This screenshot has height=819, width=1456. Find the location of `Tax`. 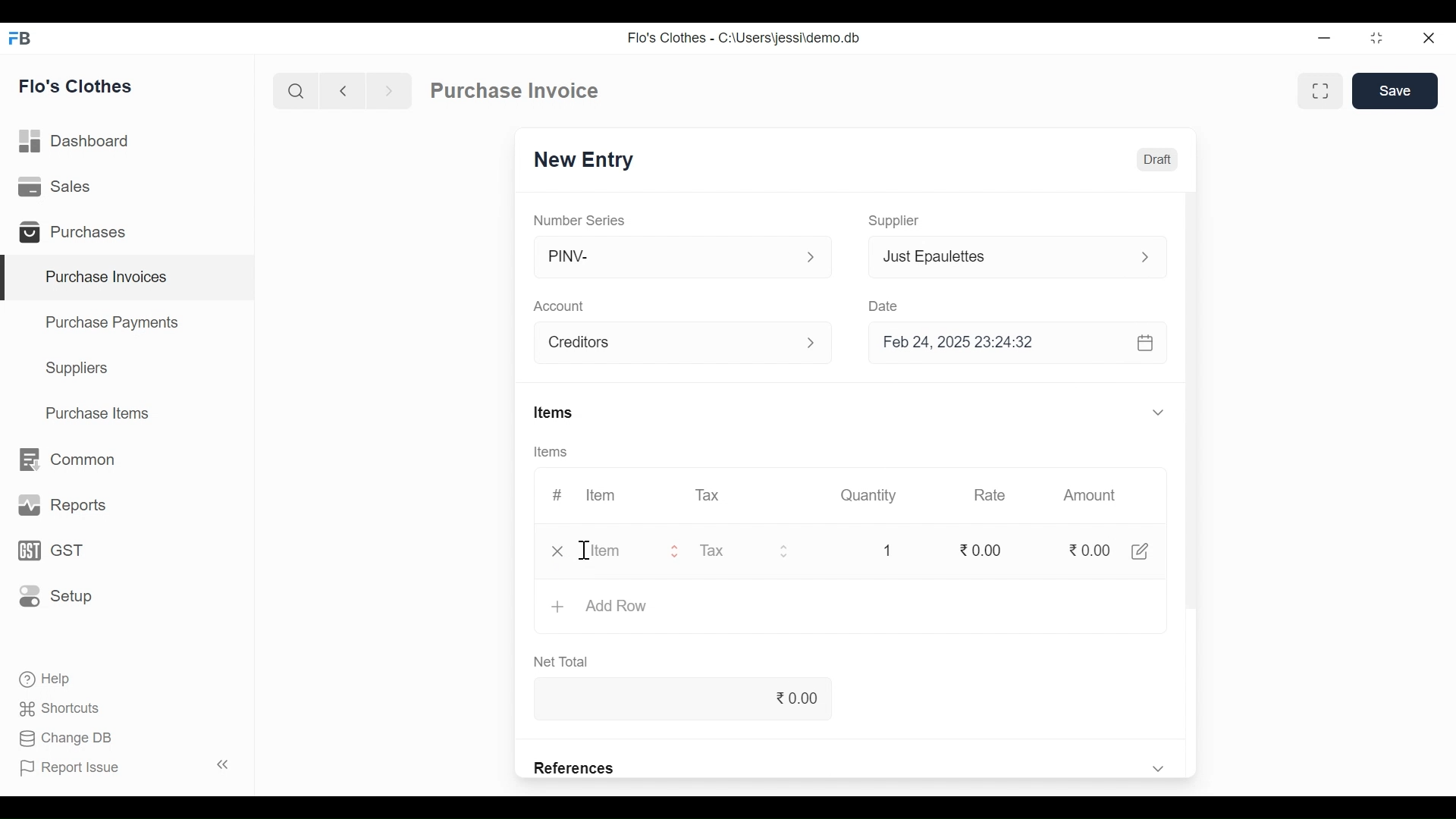

Tax is located at coordinates (729, 550).